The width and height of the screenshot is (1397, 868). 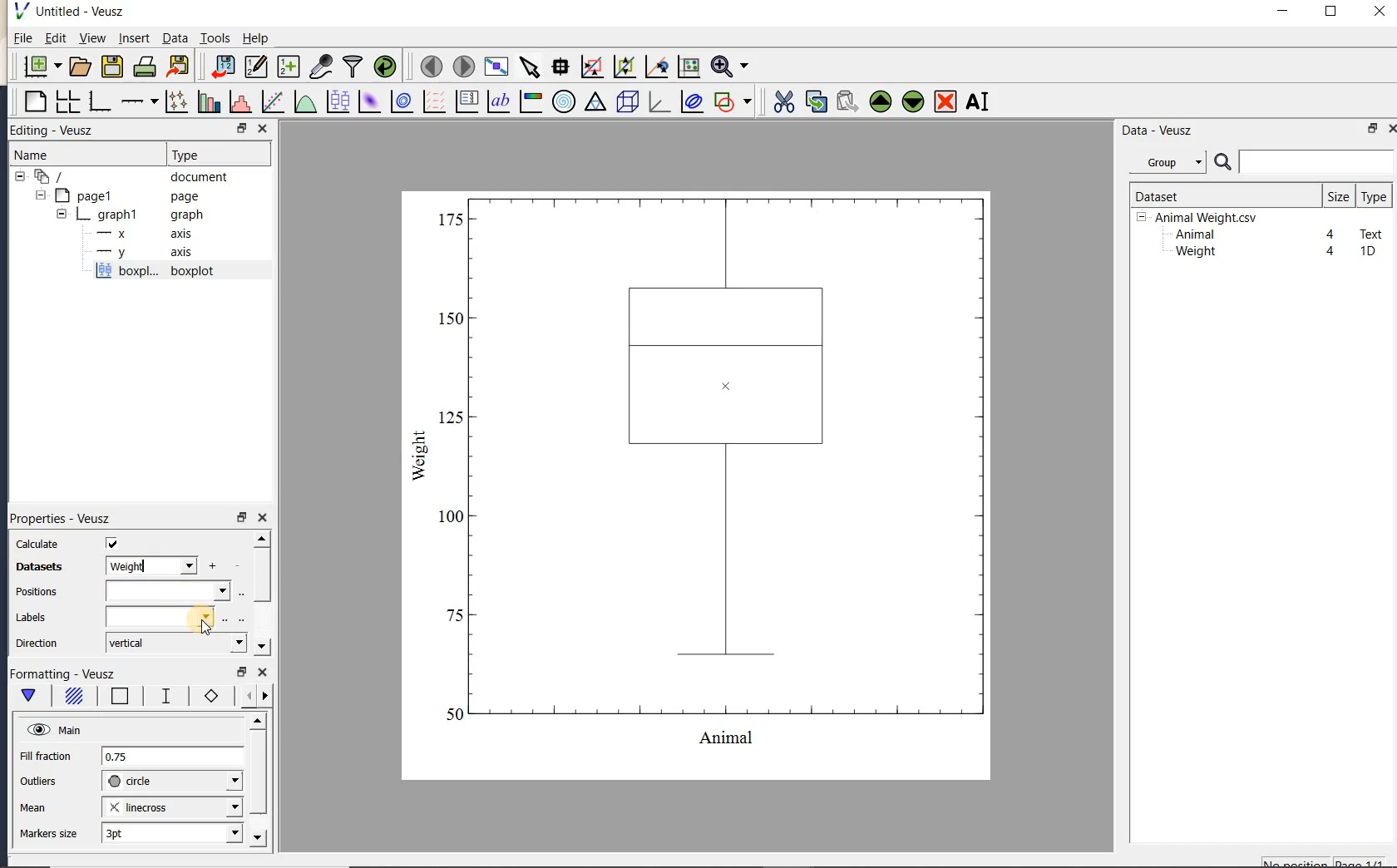 What do you see at coordinates (116, 698) in the screenshot?
I see `box border` at bounding box center [116, 698].